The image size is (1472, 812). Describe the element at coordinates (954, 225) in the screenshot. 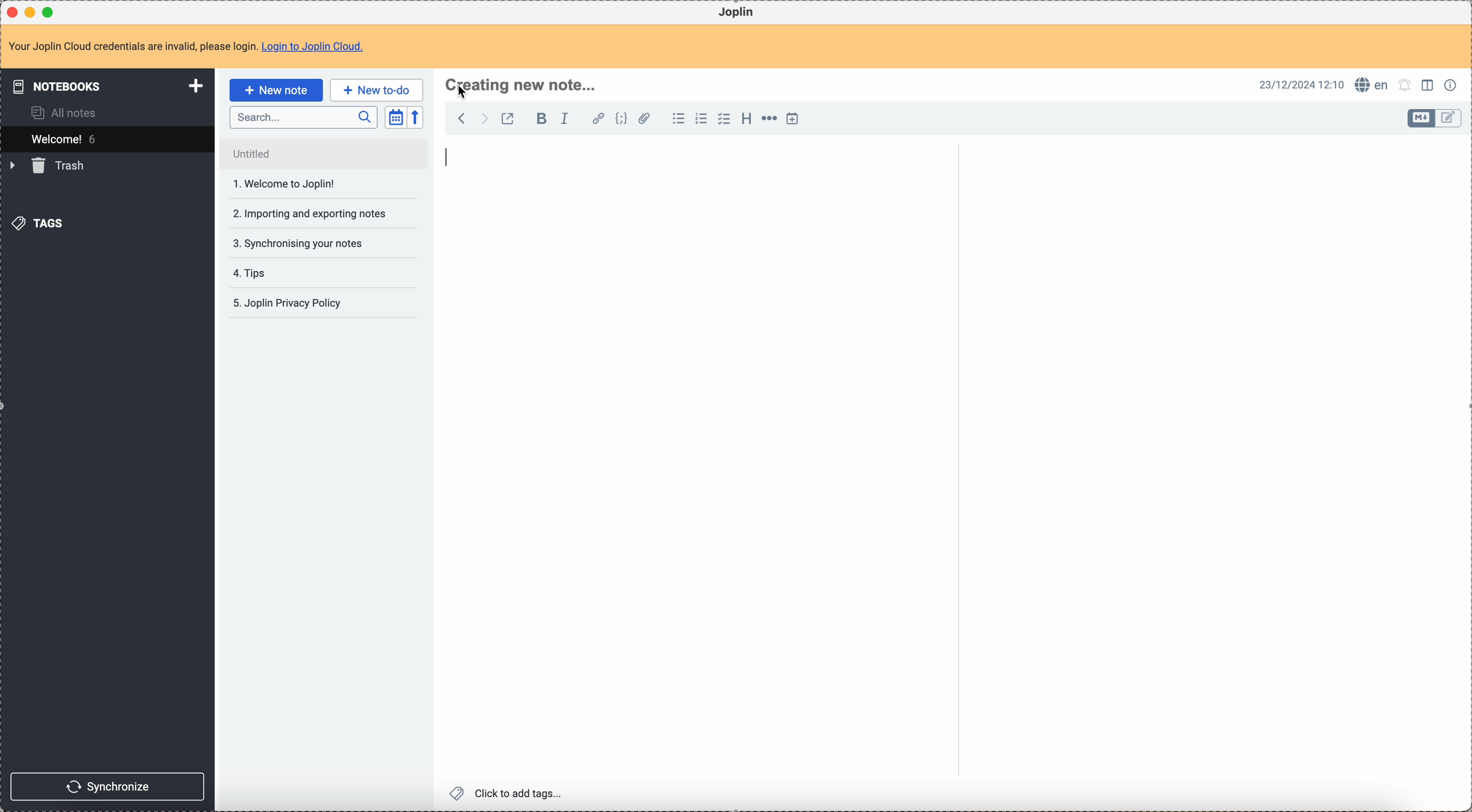

I see `scroll bar` at that location.